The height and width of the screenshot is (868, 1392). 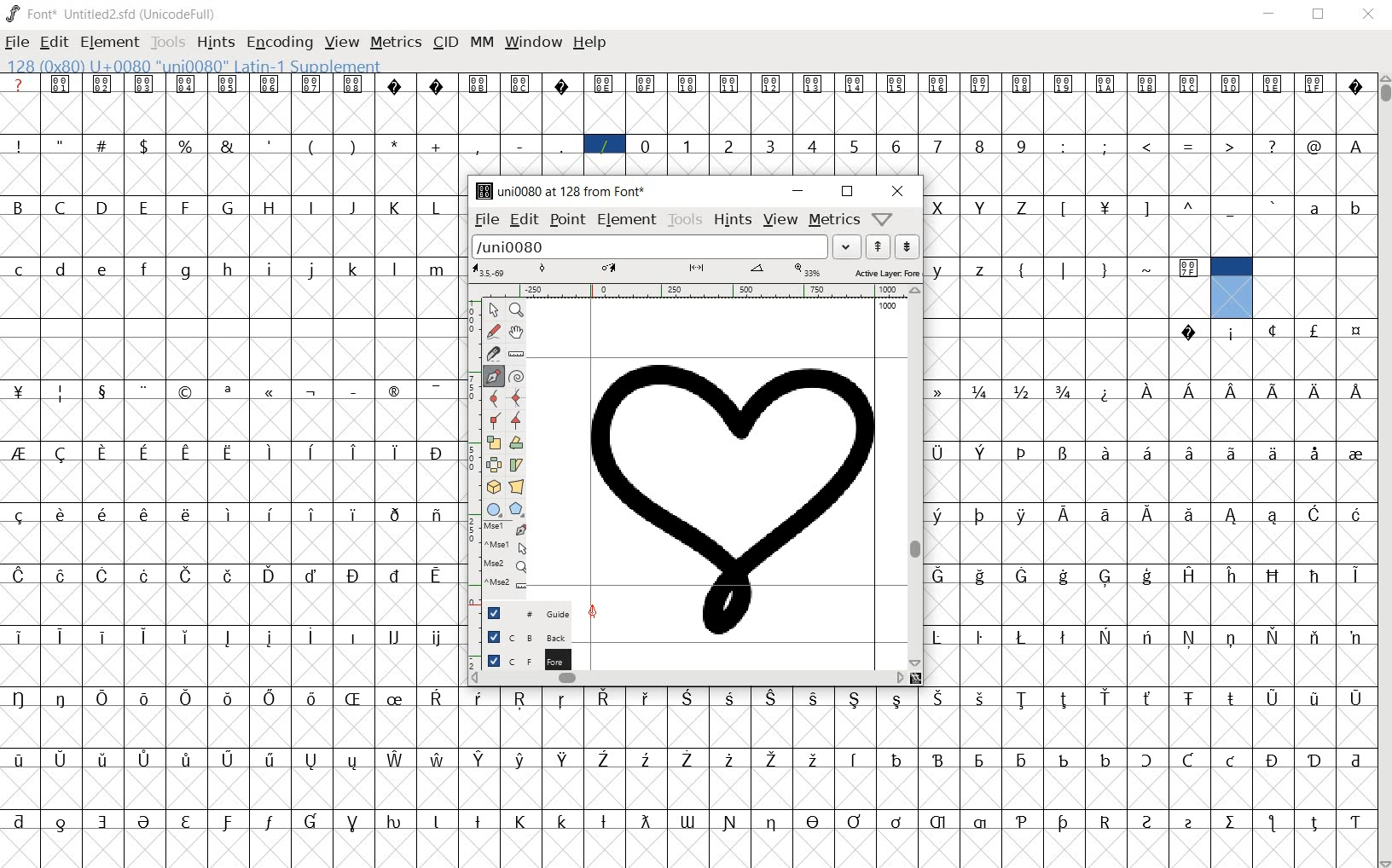 What do you see at coordinates (270, 760) in the screenshot?
I see `glyph` at bounding box center [270, 760].